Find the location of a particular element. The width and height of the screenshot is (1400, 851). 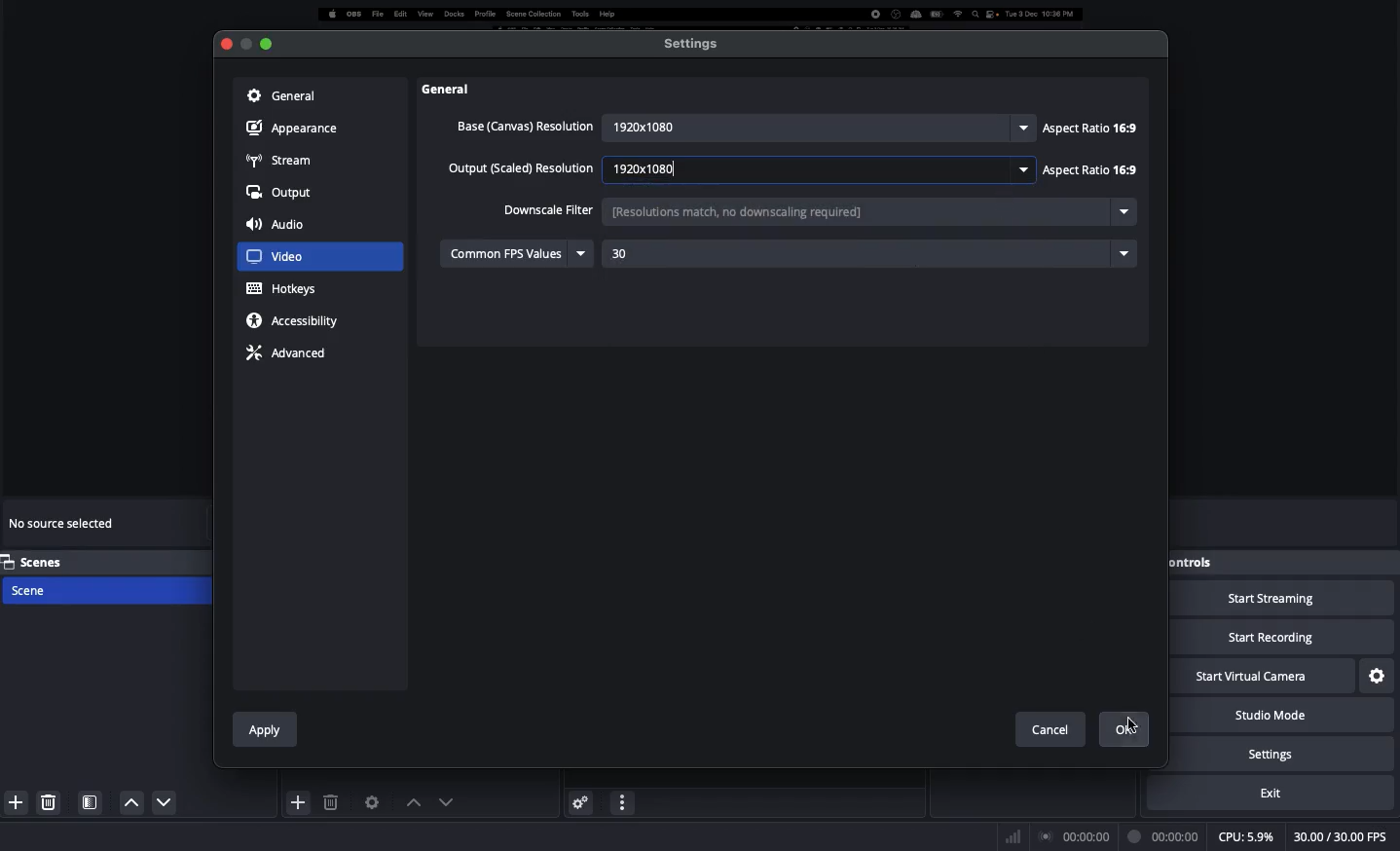

Scenes filter is located at coordinates (91, 802).